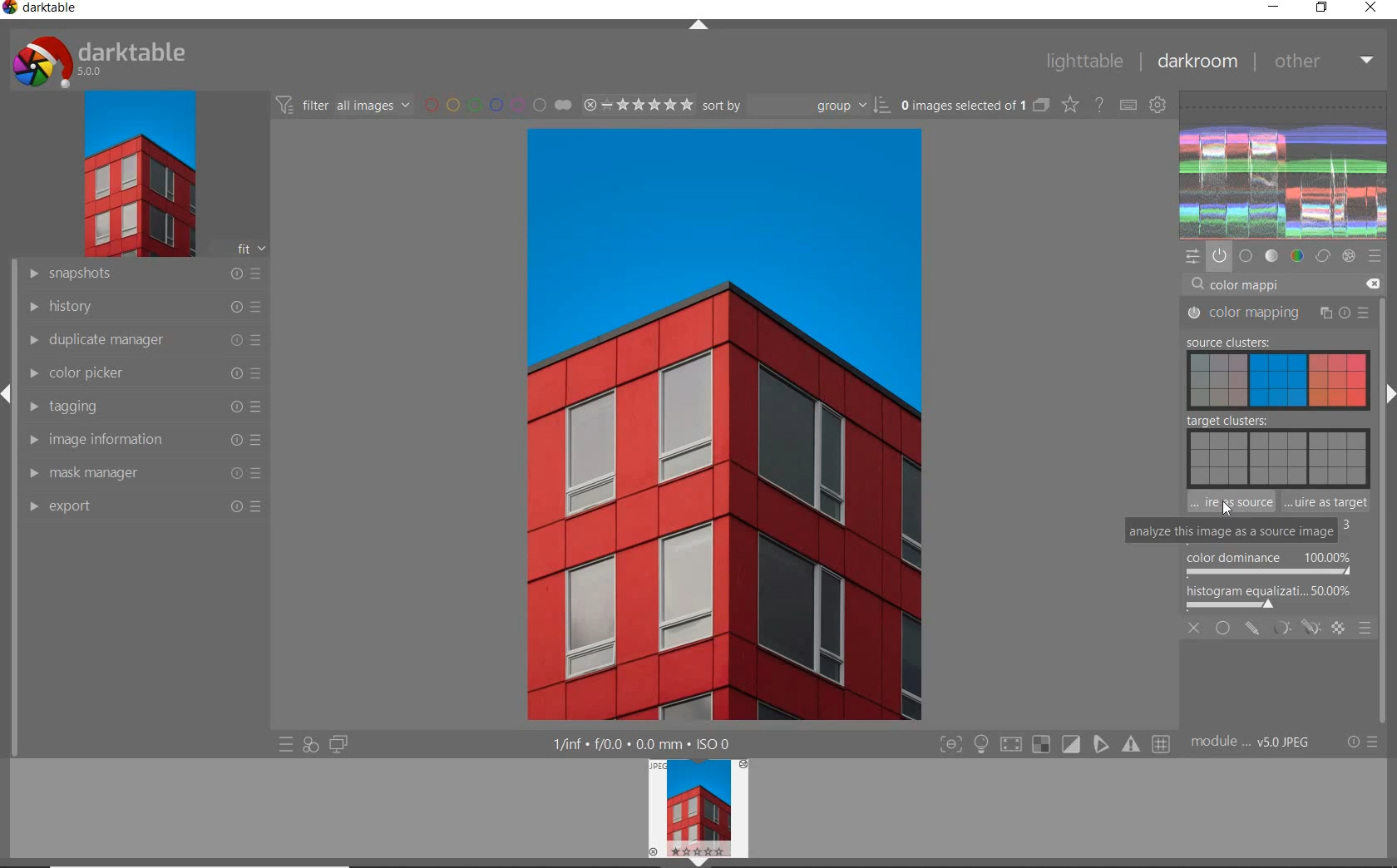 The width and height of the screenshot is (1397, 868). What do you see at coordinates (1360, 745) in the screenshot?
I see `reset or preset & preference` at bounding box center [1360, 745].